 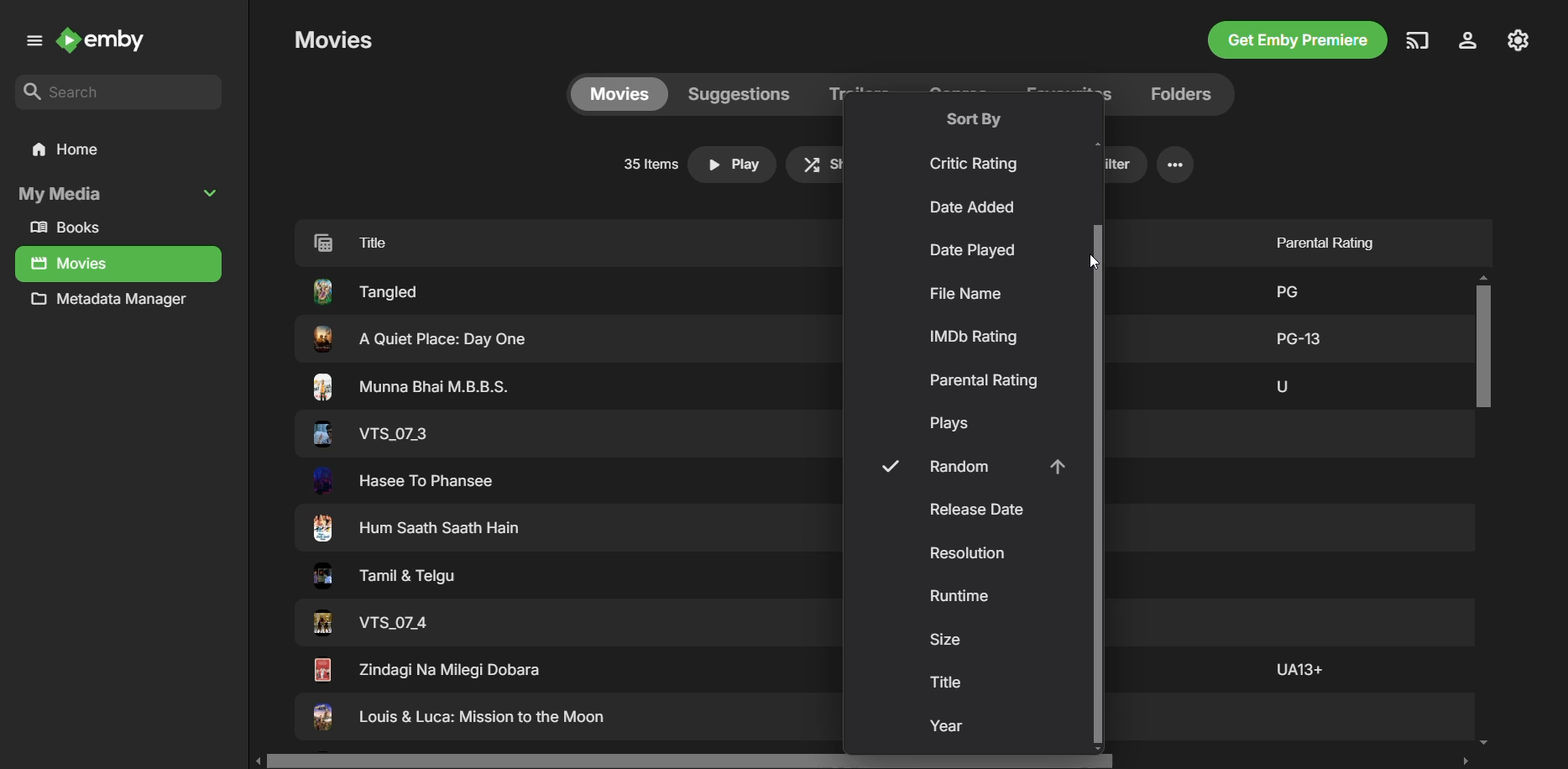 I want to click on Books, so click(x=72, y=228).